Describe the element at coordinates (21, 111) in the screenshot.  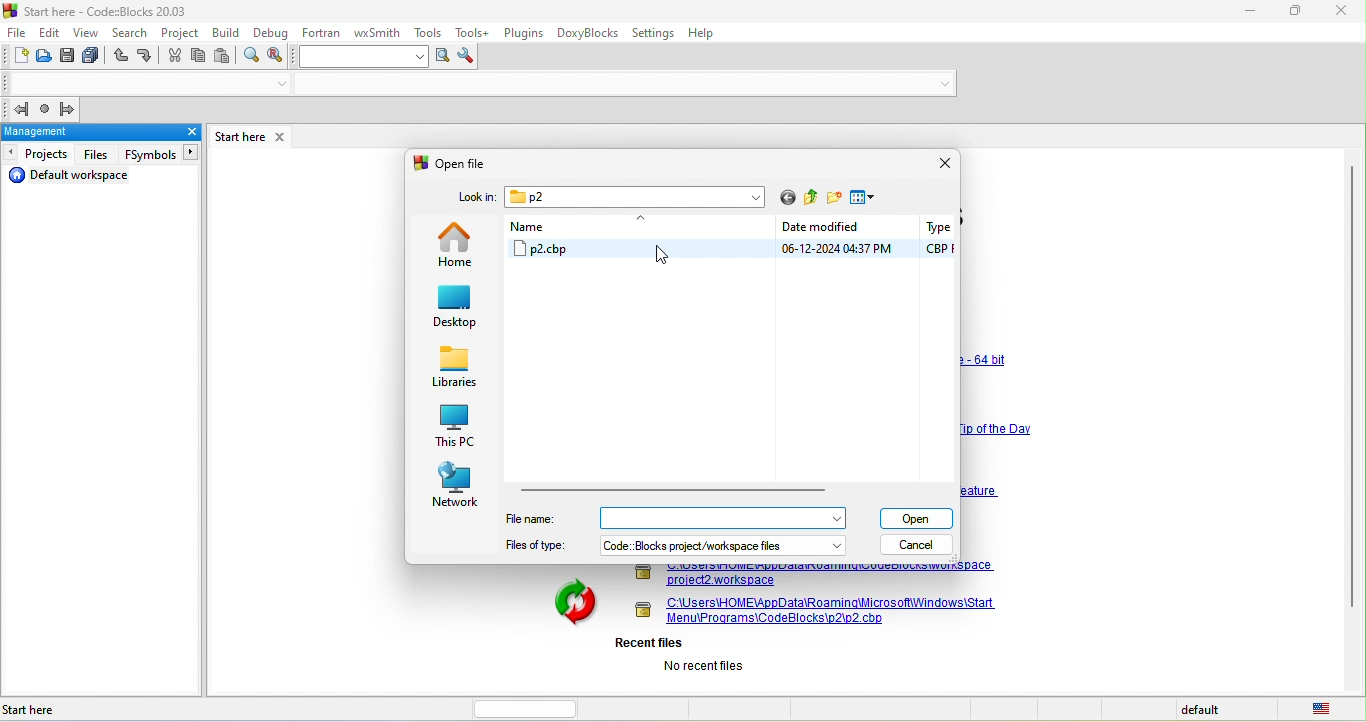
I see `jump back` at that location.